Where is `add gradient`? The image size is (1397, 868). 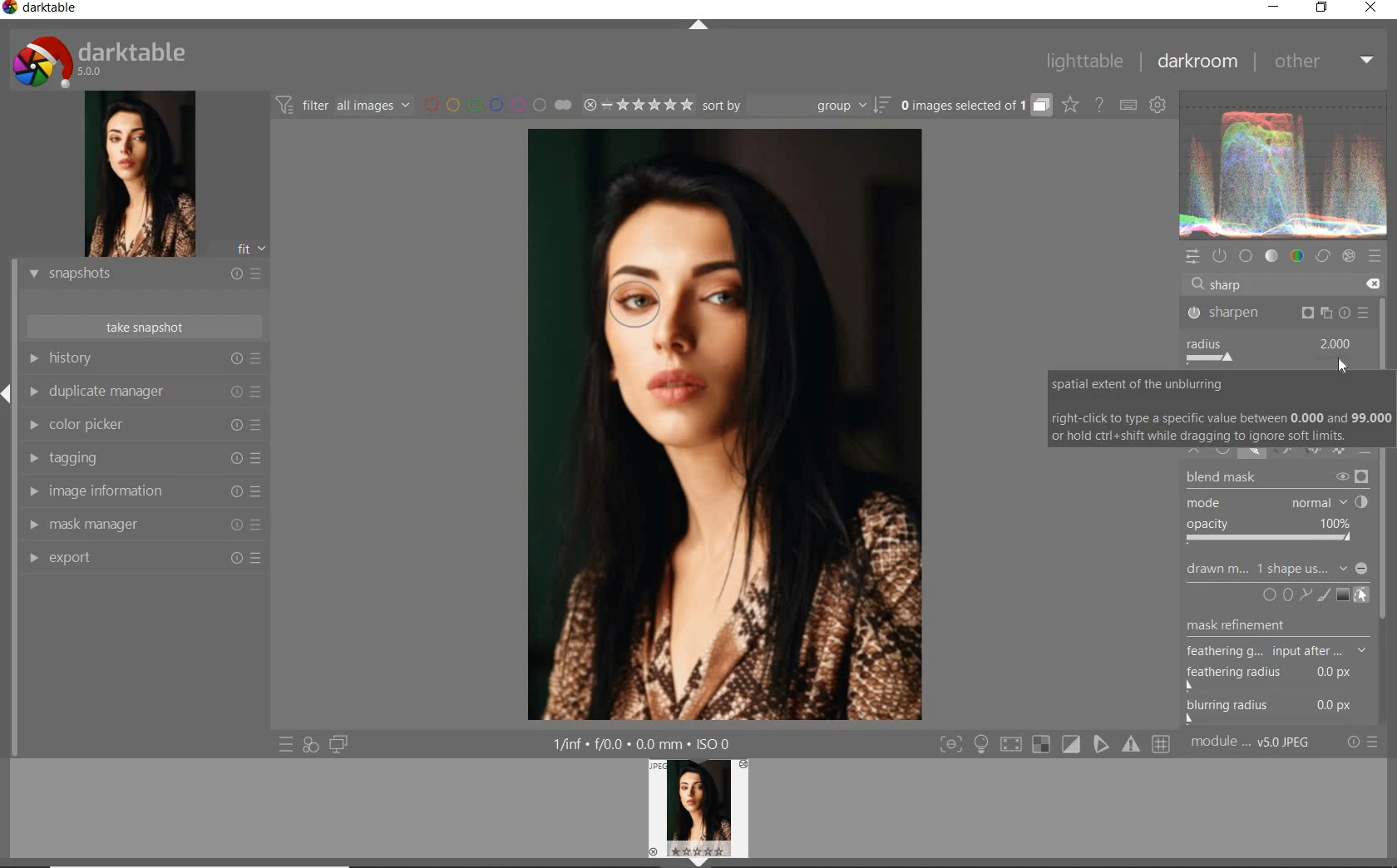 add gradient is located at coordinates (1344, 594).